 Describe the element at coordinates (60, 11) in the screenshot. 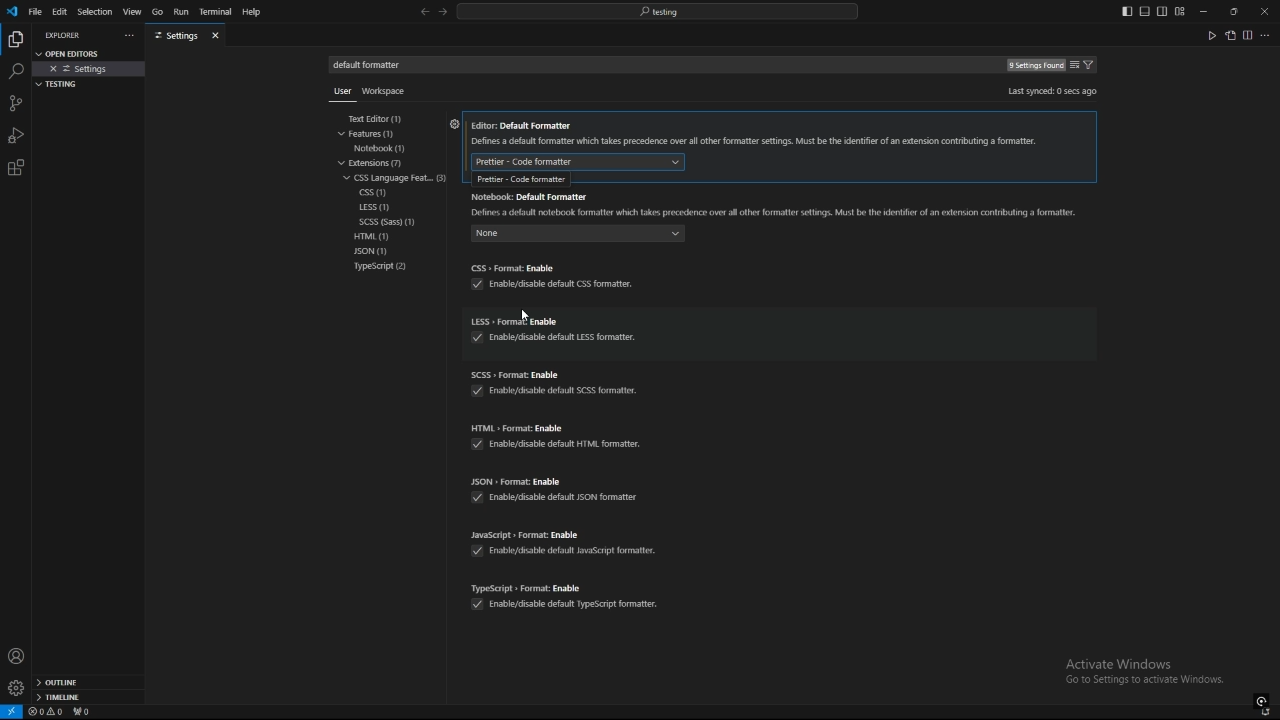

I see `edit` at that location.